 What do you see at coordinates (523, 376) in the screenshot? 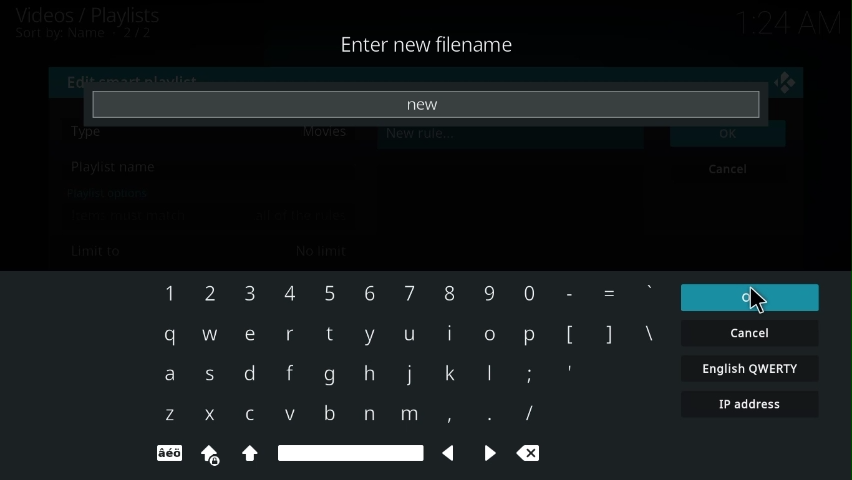
I see `;` at bounding box center [523, 376].